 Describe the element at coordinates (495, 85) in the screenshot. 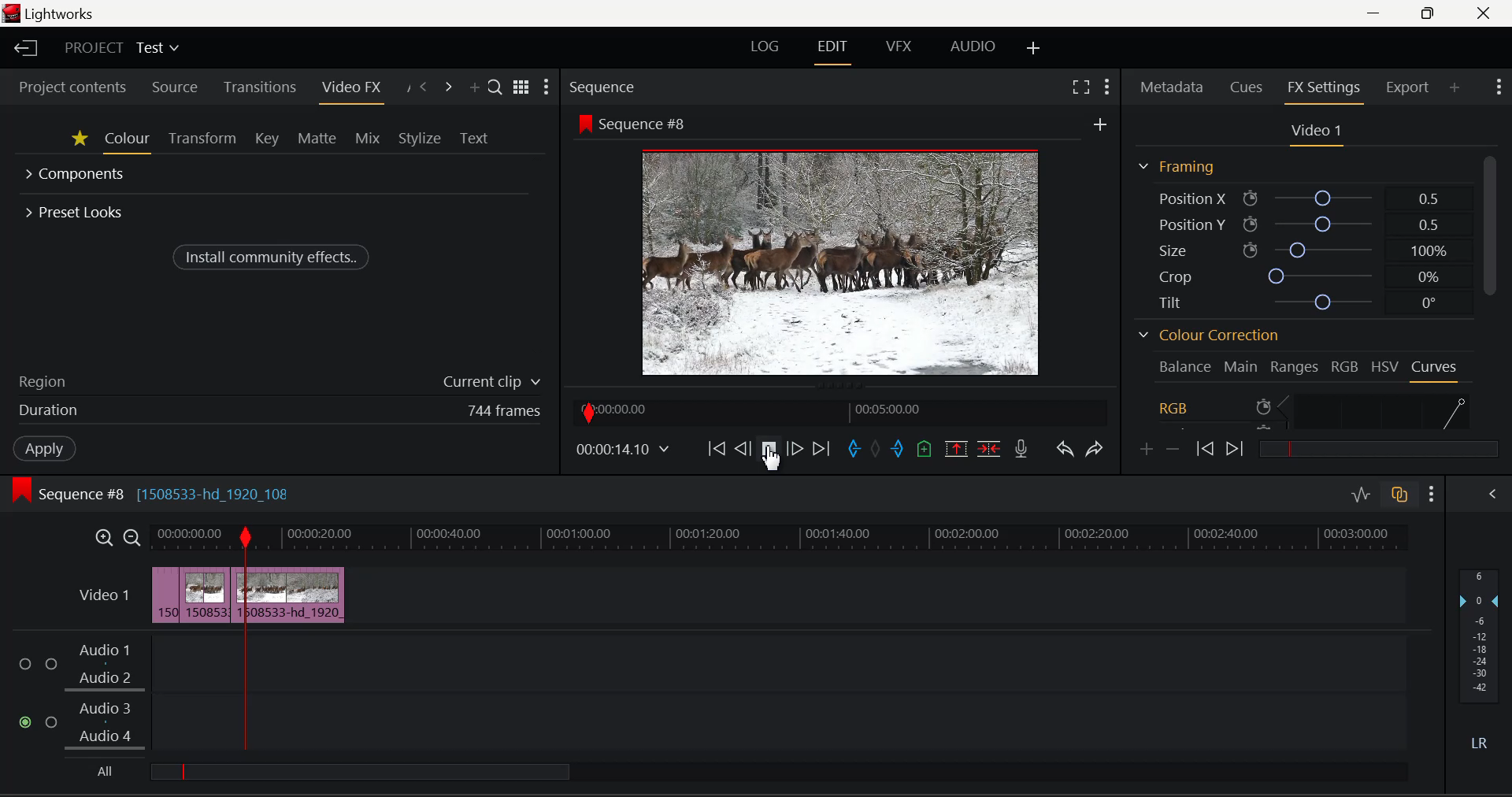

I see `Search` at that location.